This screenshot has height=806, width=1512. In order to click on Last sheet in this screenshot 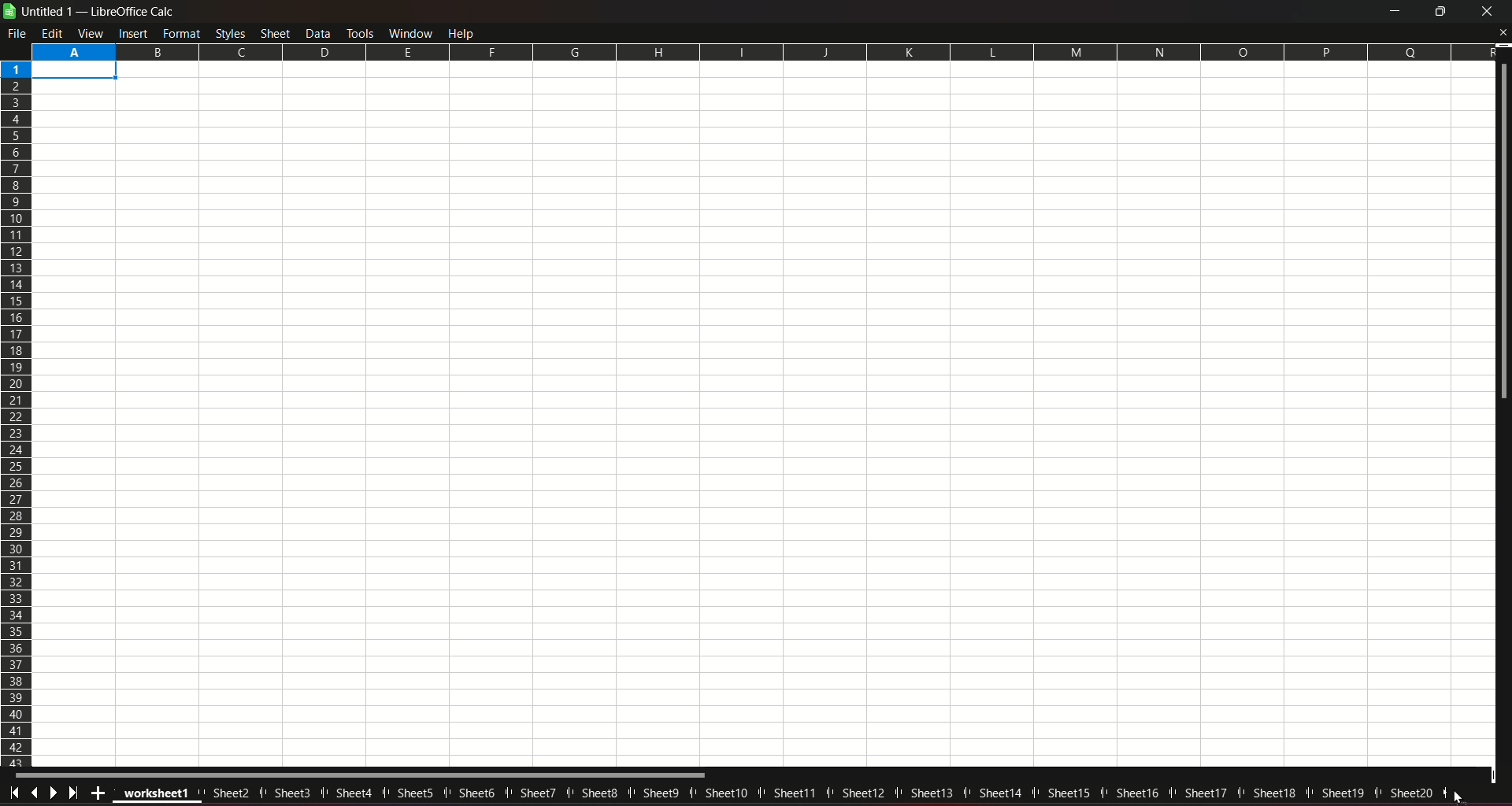, I will do `click(76, 793)`.